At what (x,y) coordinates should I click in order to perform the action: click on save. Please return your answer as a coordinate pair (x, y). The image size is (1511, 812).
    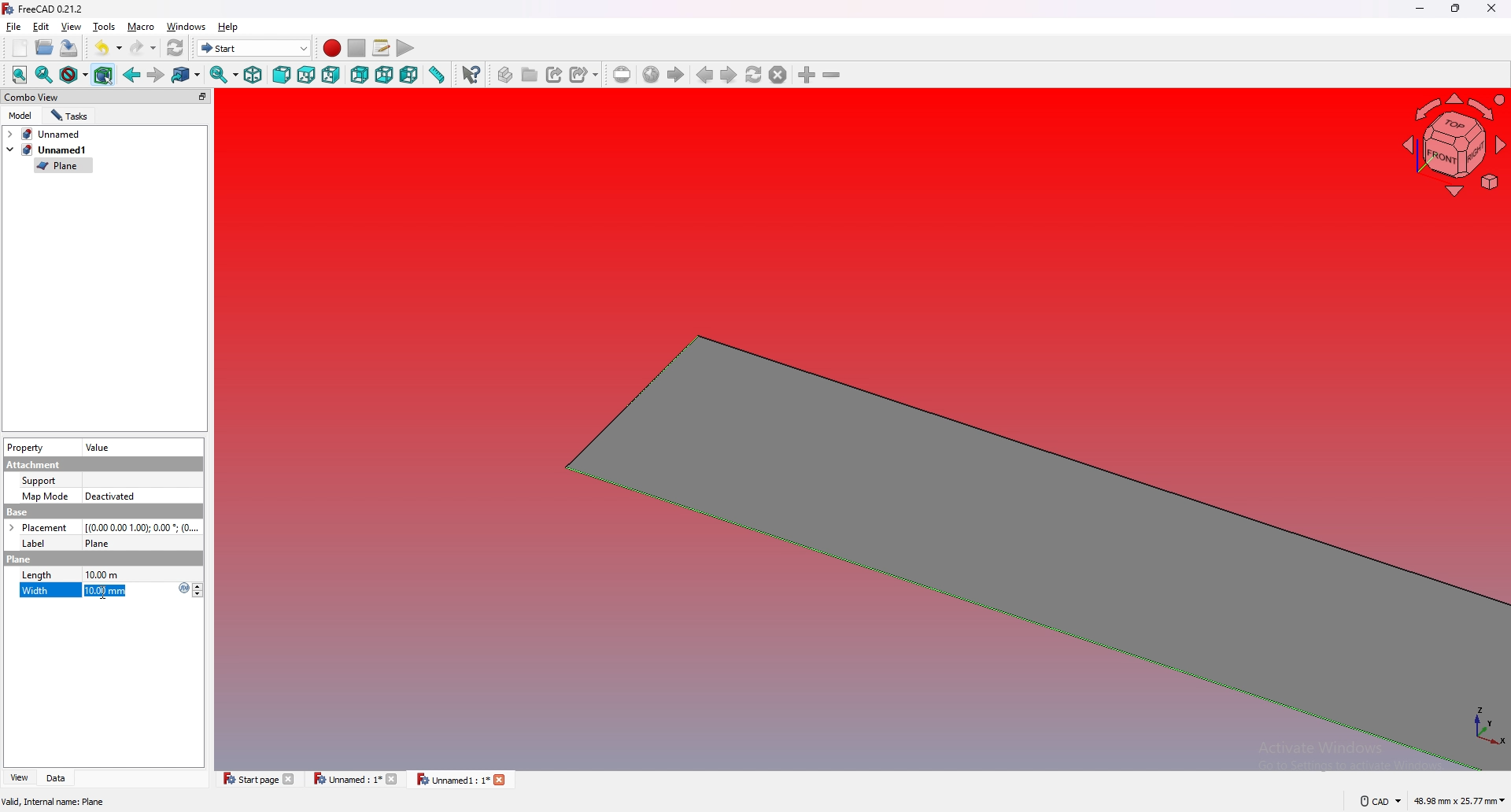
    Looking at the image, I should click on (68, 49).